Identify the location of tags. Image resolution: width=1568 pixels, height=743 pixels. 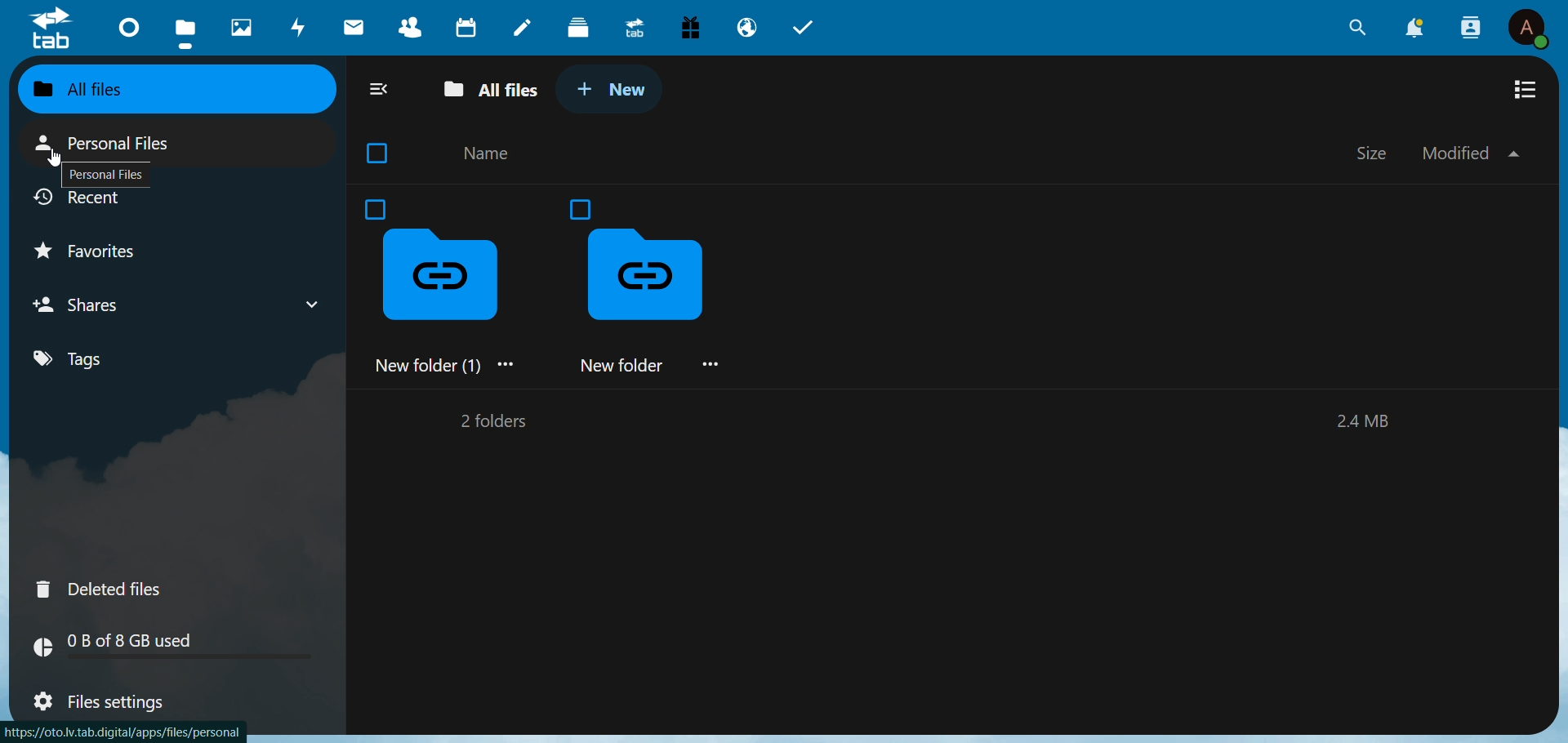
(73, 360).